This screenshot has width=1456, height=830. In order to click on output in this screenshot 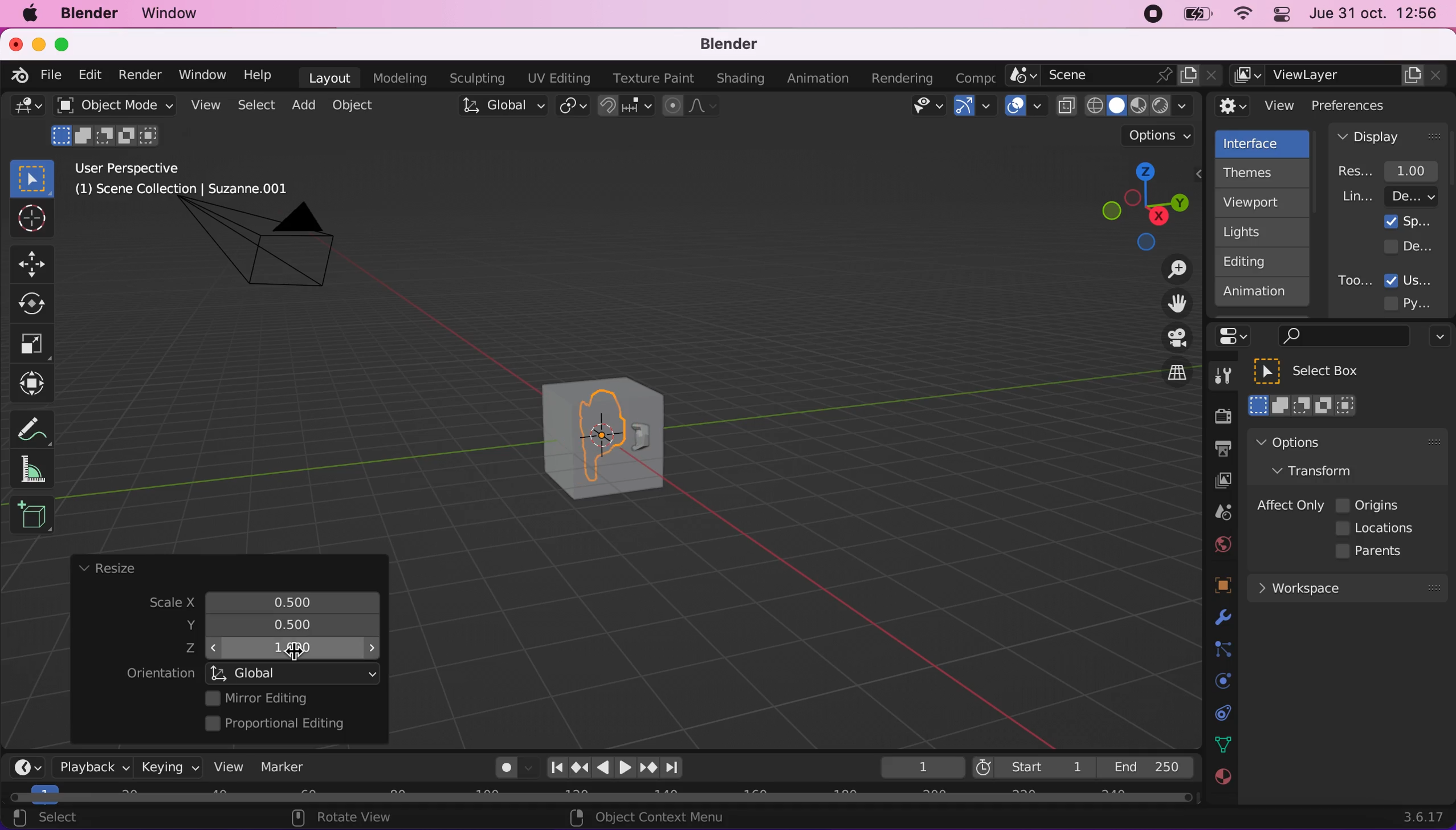, I will do `click(1217, 450)`.